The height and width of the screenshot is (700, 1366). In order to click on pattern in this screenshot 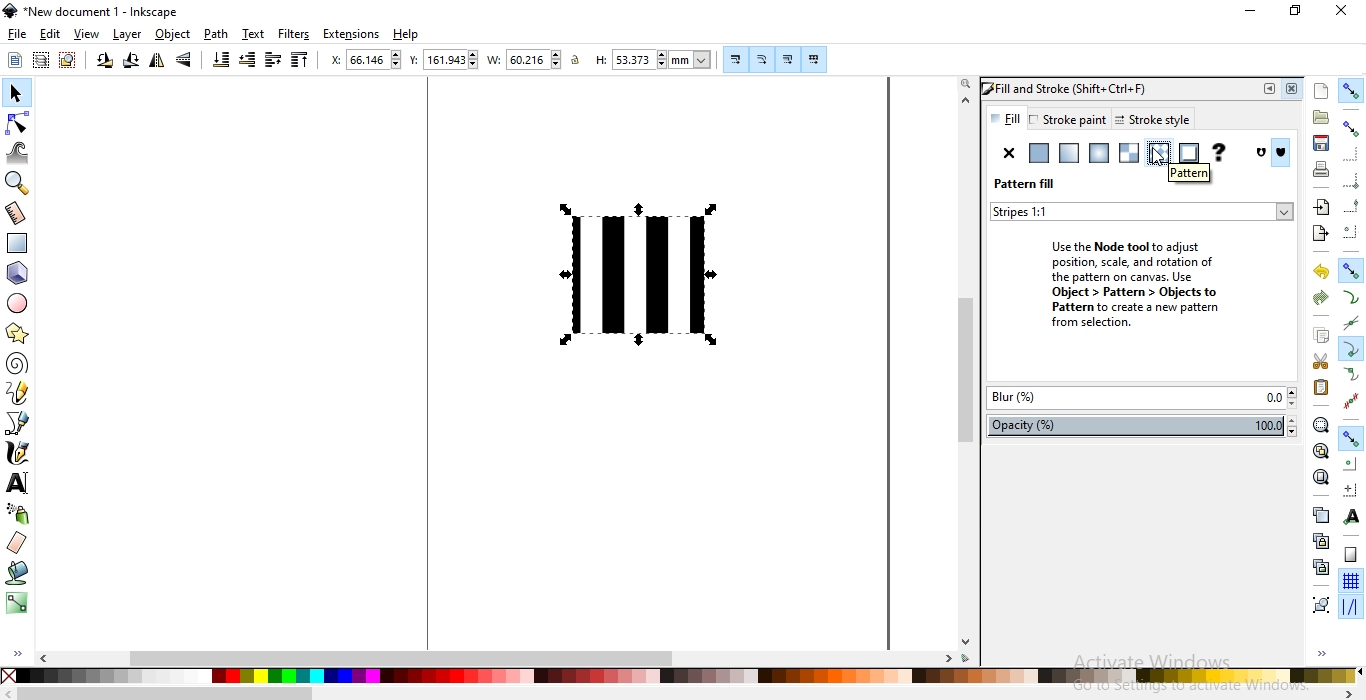, I will do `click(1187, 174)`.